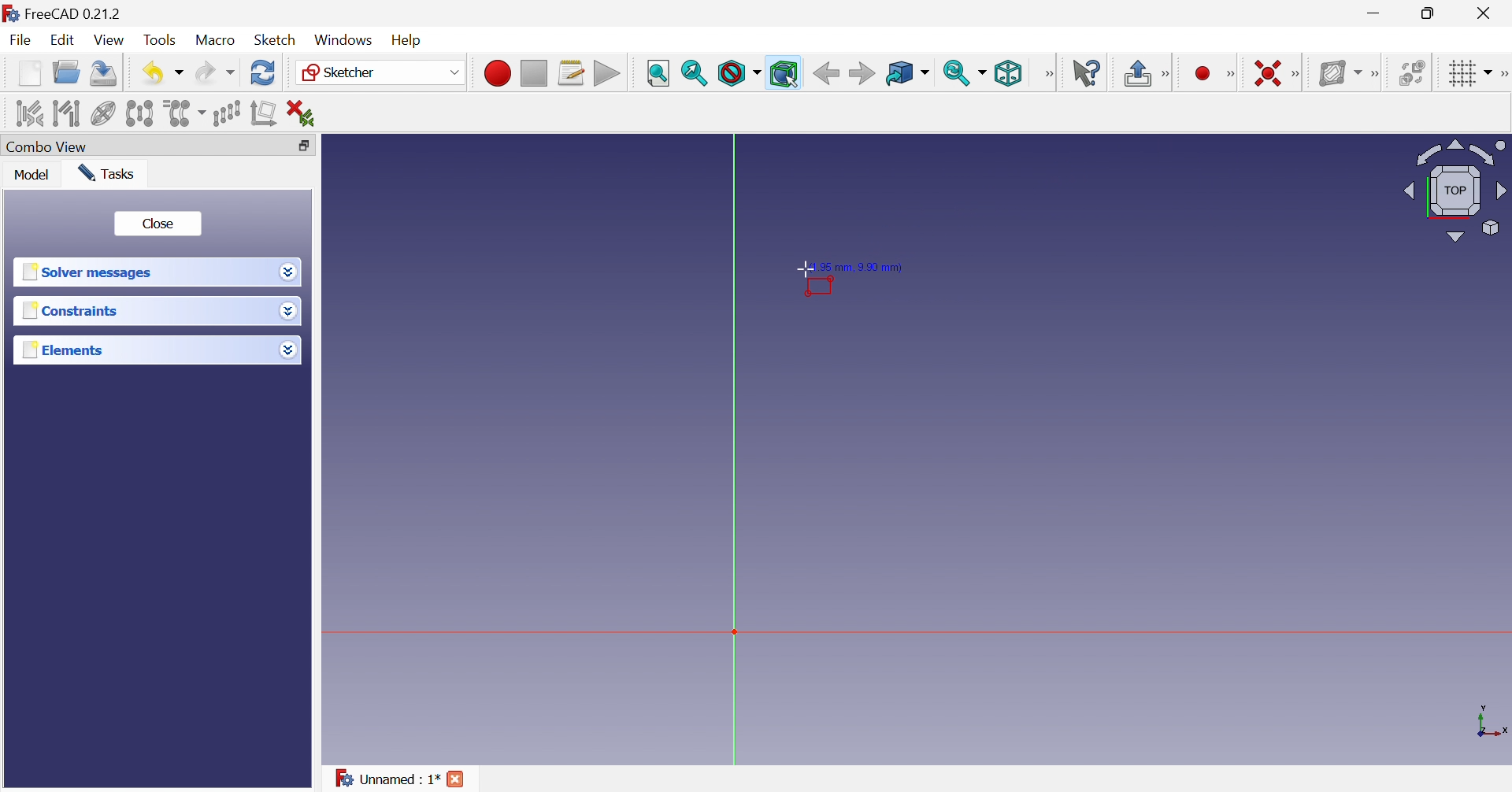  I want to click on Close, so click(456, 778).